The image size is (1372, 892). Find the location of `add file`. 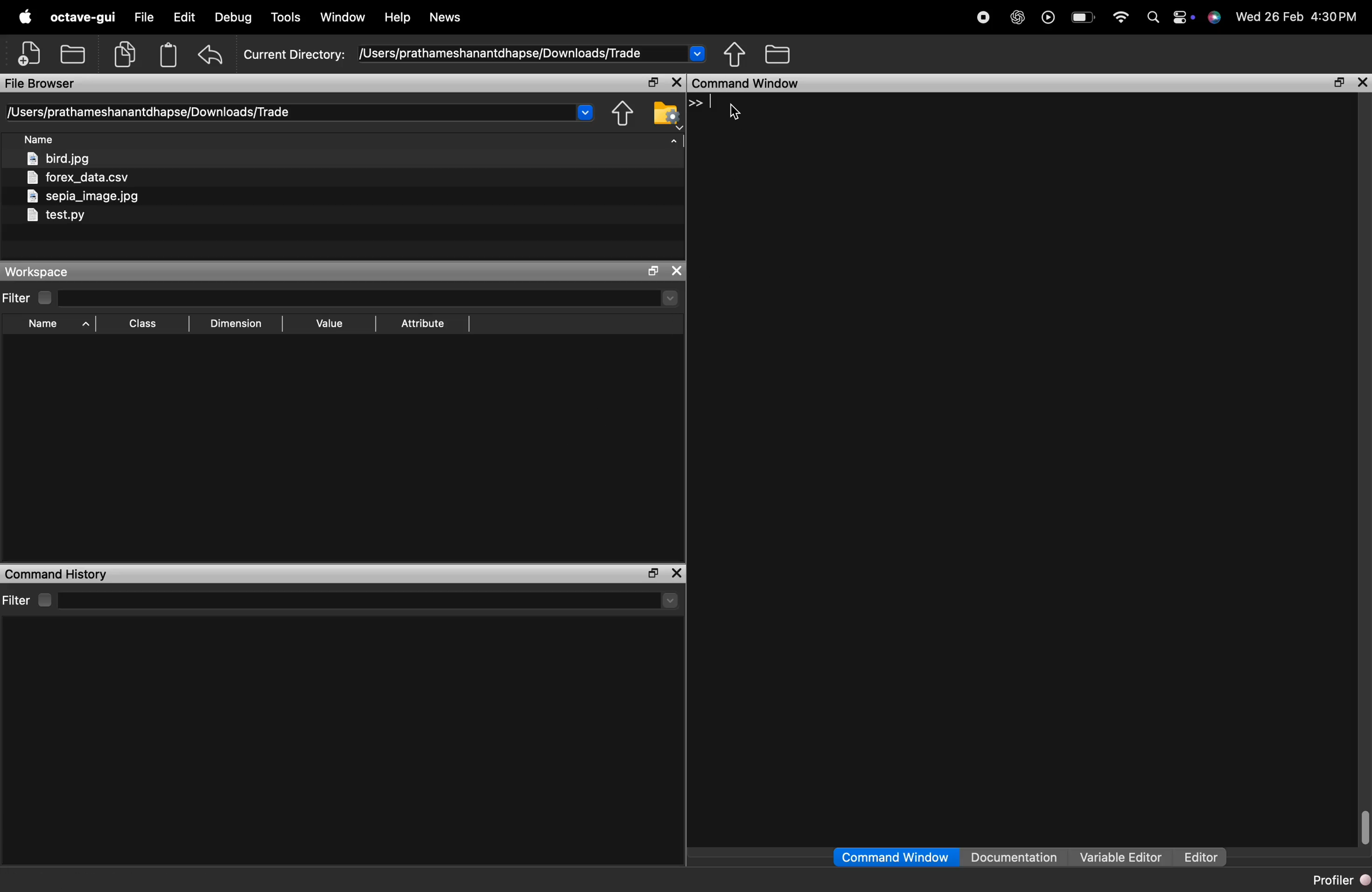

add file is located at coordinates (31, 51).